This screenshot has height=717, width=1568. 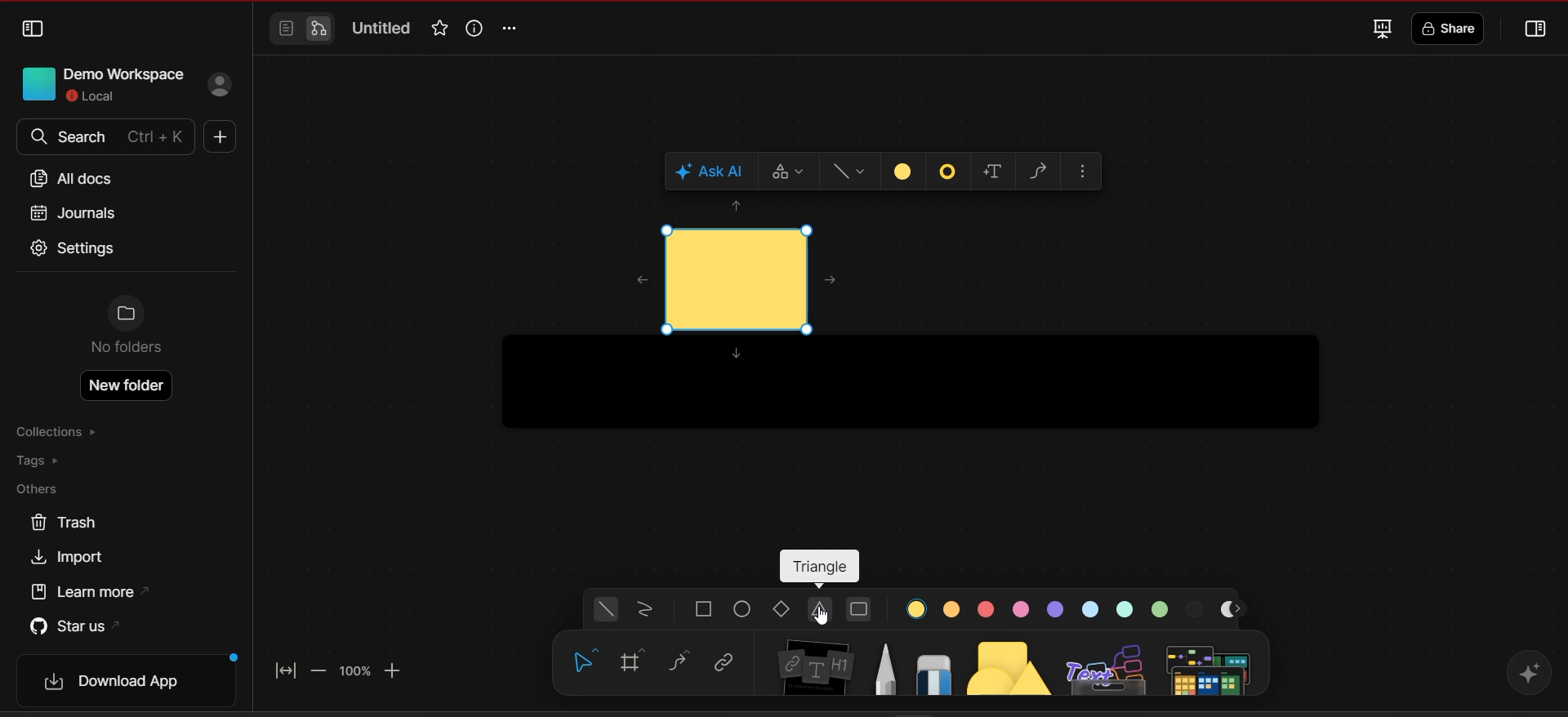 I want to click on color 5, so click(x=1056, y=608).